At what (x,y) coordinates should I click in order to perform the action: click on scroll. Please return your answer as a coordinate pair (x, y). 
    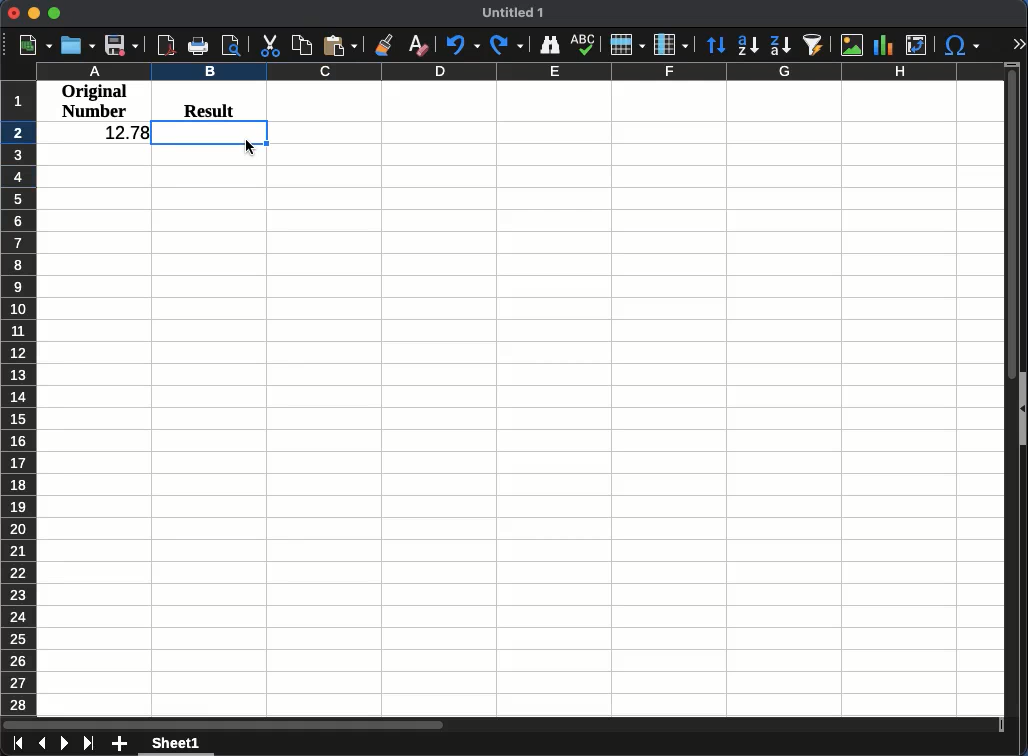
    Looking at the image, I should click on (1006, 387).